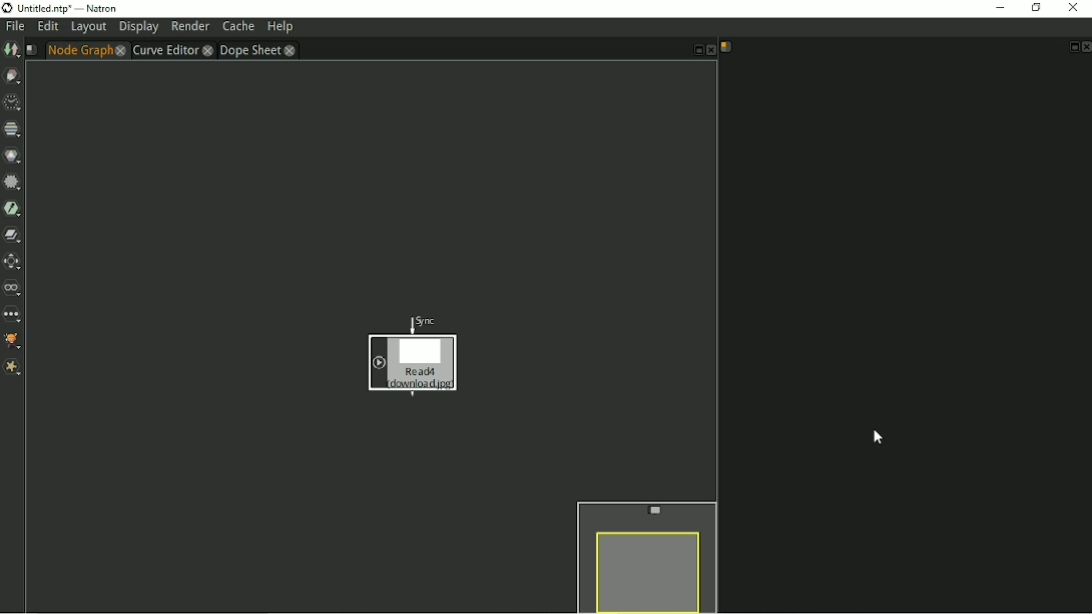  What do you see at coordinates (13, 288) in the screenshot?
I see `Views` at bounding box center [13, 288].